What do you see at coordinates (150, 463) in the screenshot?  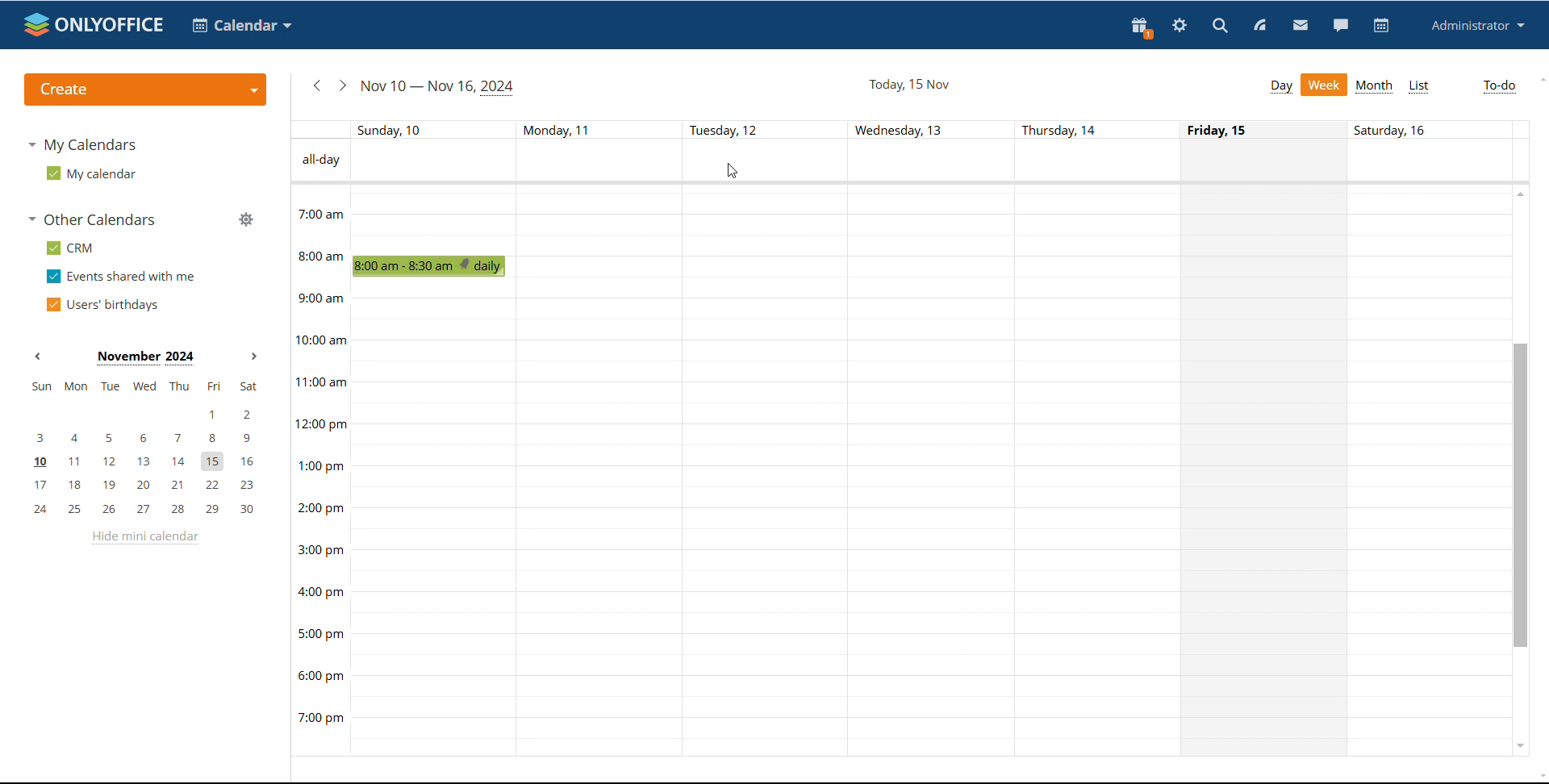 I see `10, 11, 12, 13, 14, 15, 16` at bounding box center [150, 463].